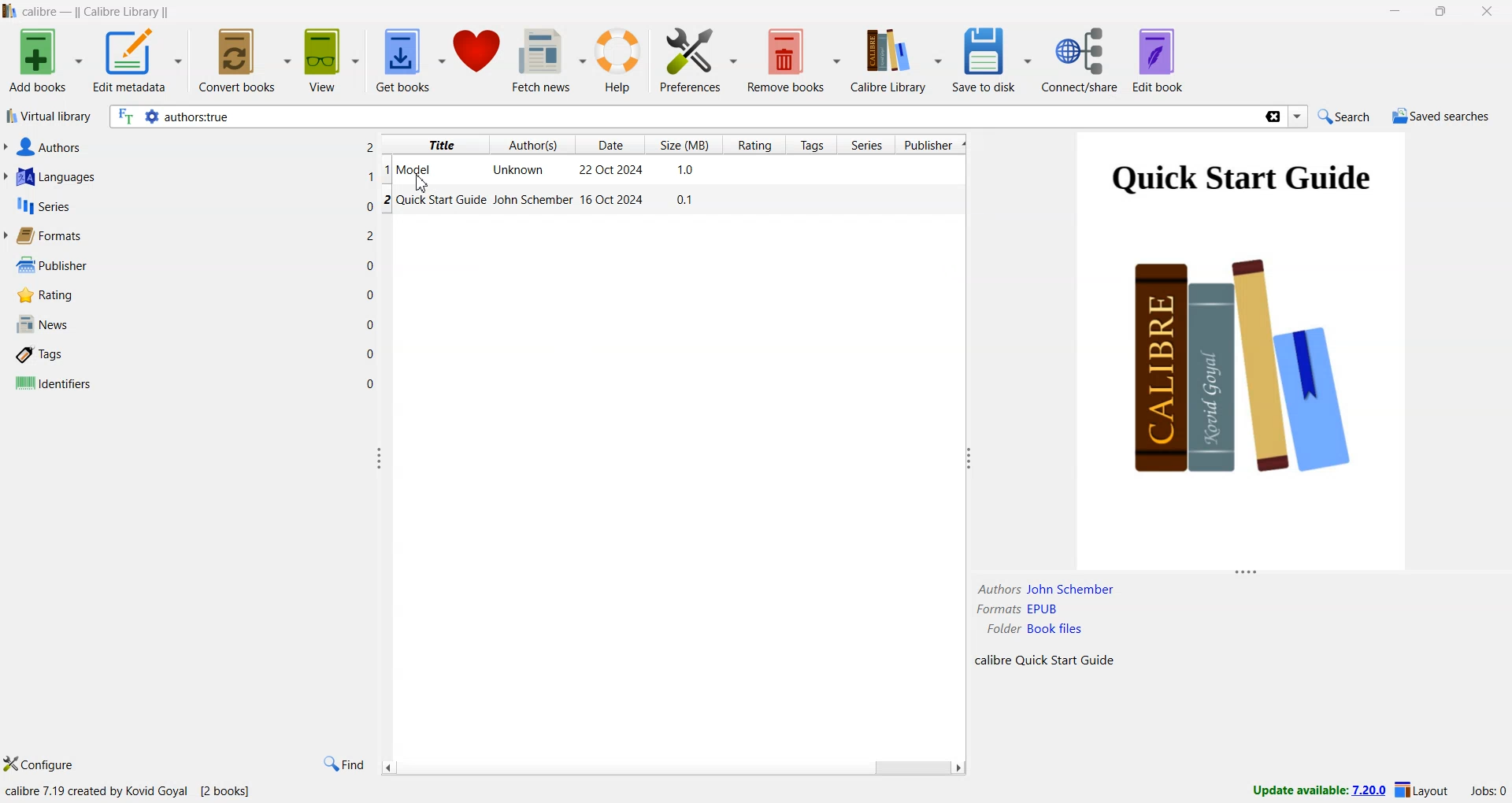 Image resolution: width=1512 pixels, height=803 pixels. Describe the element at coordinates (1158, 60) in the screenshot. I see `edit book` at that location.